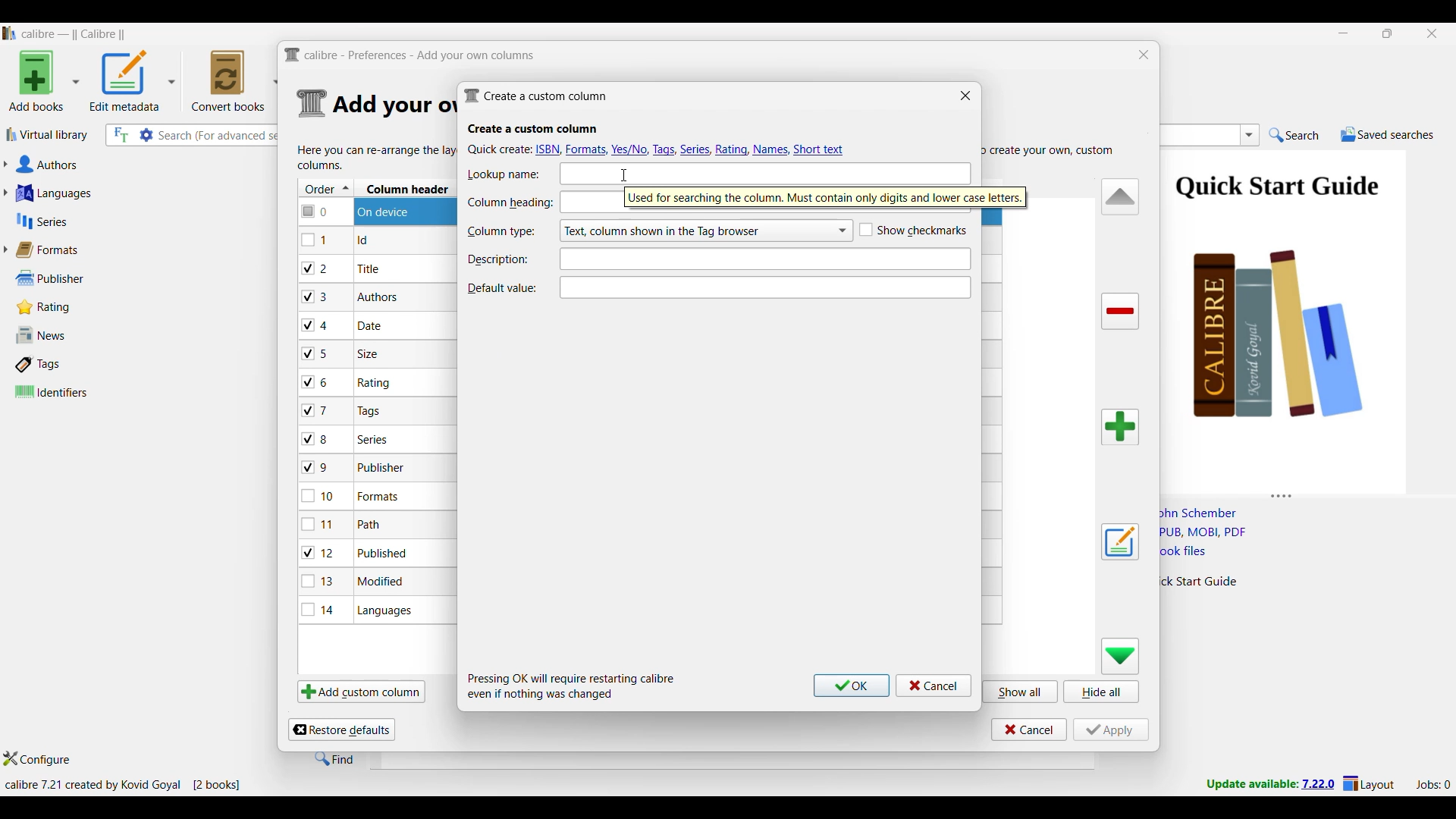  Describe the element at coordinates (316, 240) in the screenshot. I see `checkbox - 1` at that location.